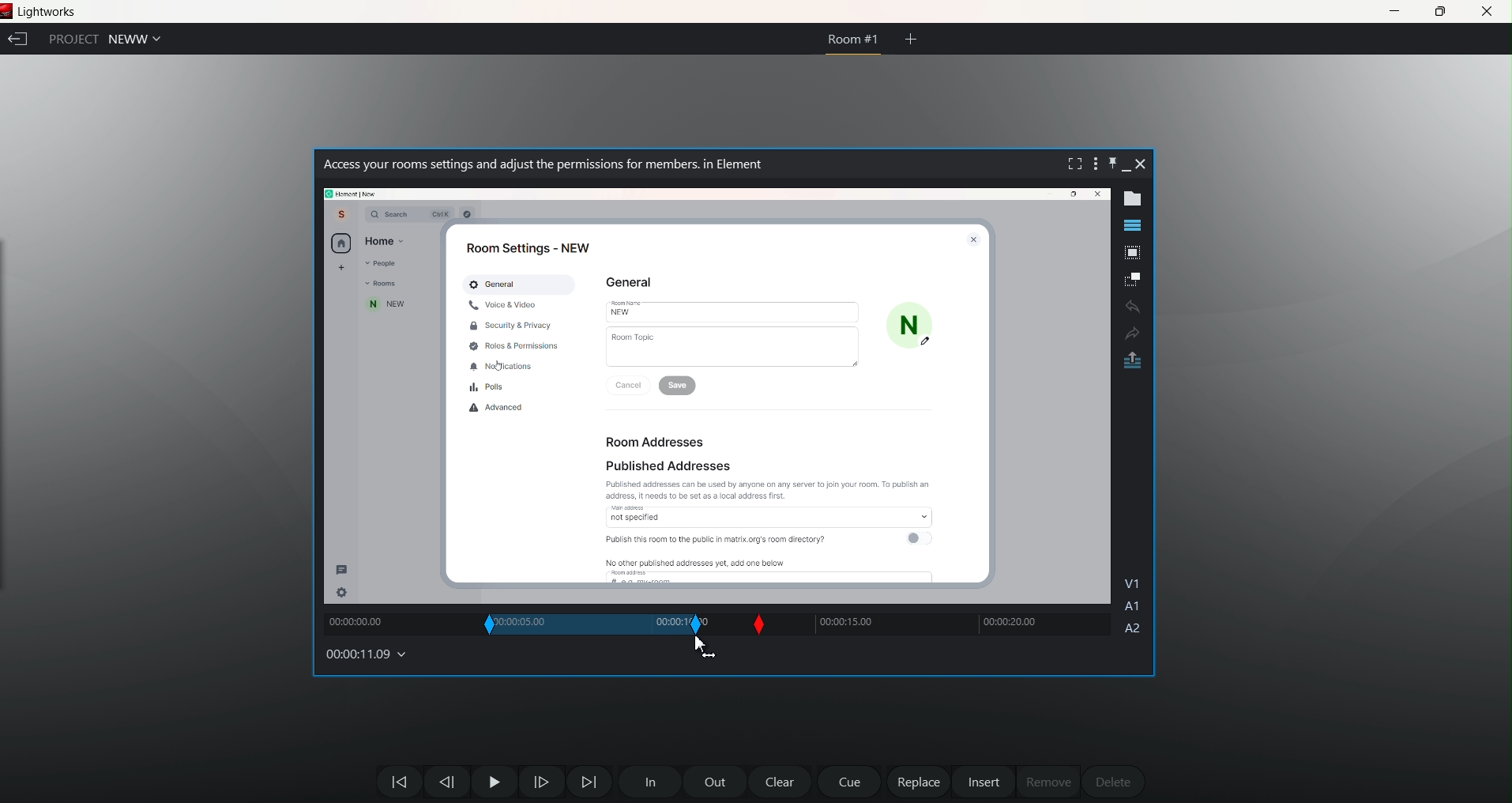  What do you see at coordinates (491, 782) in the screenshot?
I see `Pause Play Button` at bounding box center [491, 782].